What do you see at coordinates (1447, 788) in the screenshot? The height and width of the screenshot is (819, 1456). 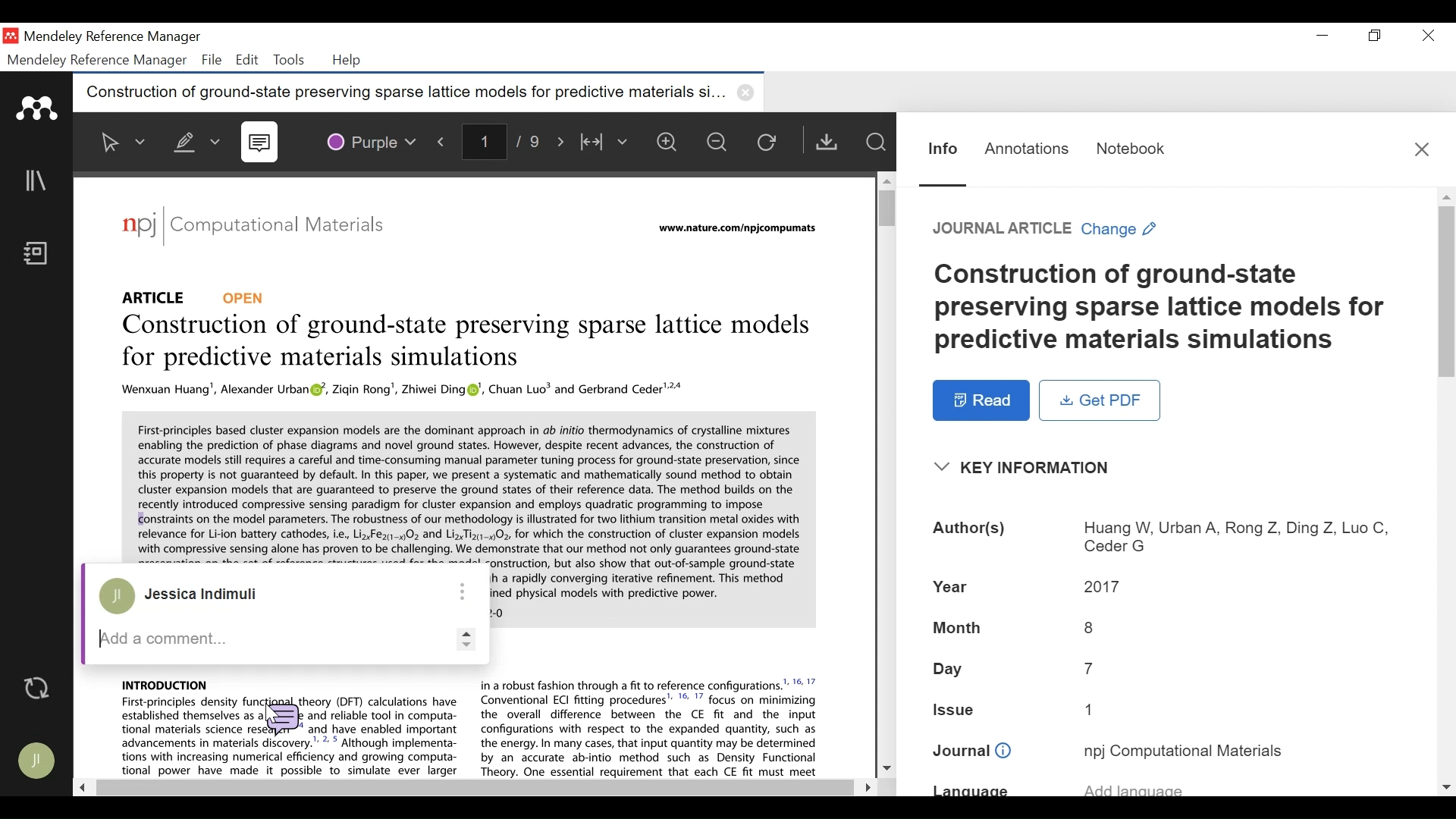 I see `Scroll down` at bounding box center [1447, 788].